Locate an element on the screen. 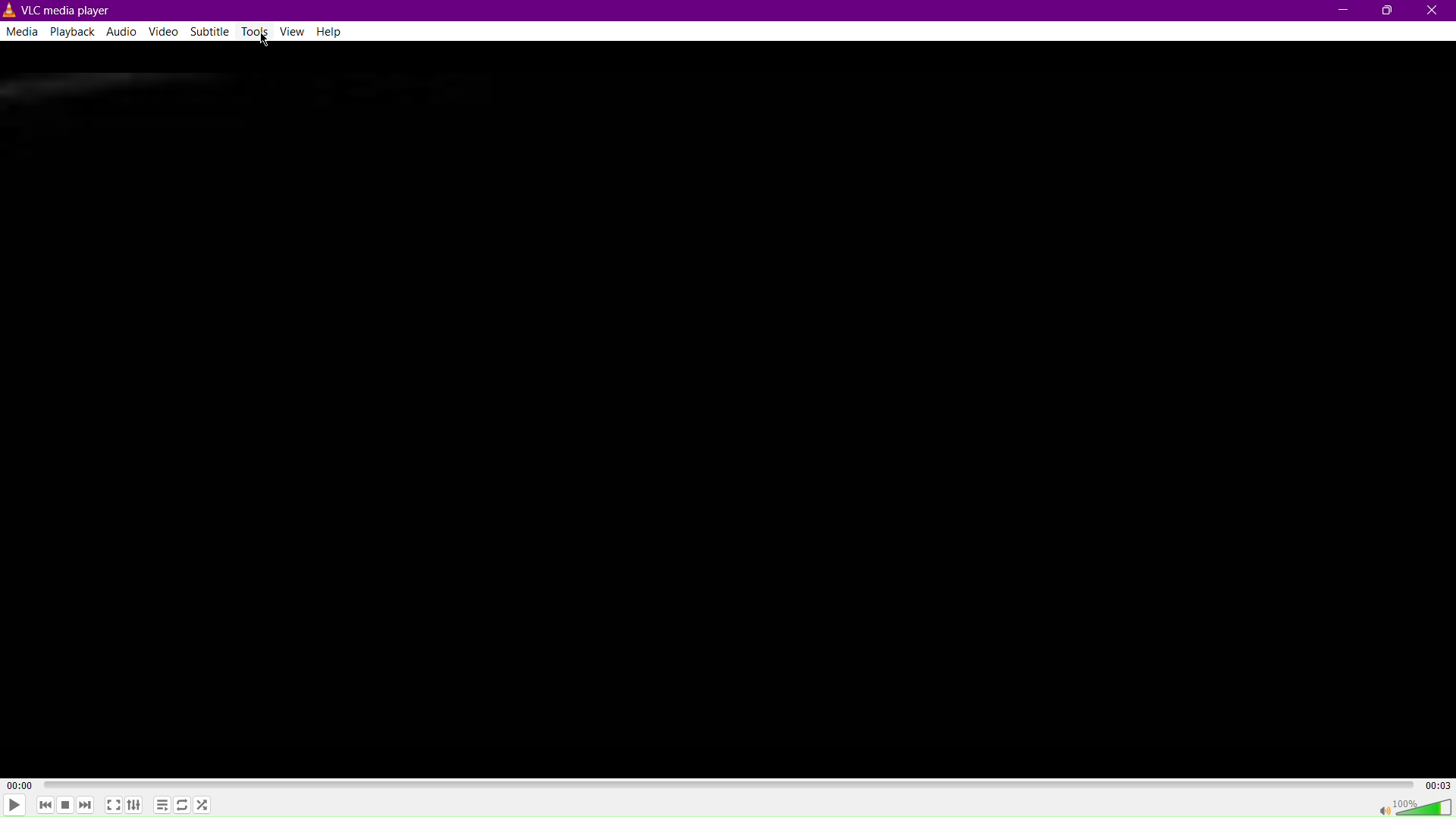 The image size is (1456, 817). VLC Media player is located at coordinates (59, 10).